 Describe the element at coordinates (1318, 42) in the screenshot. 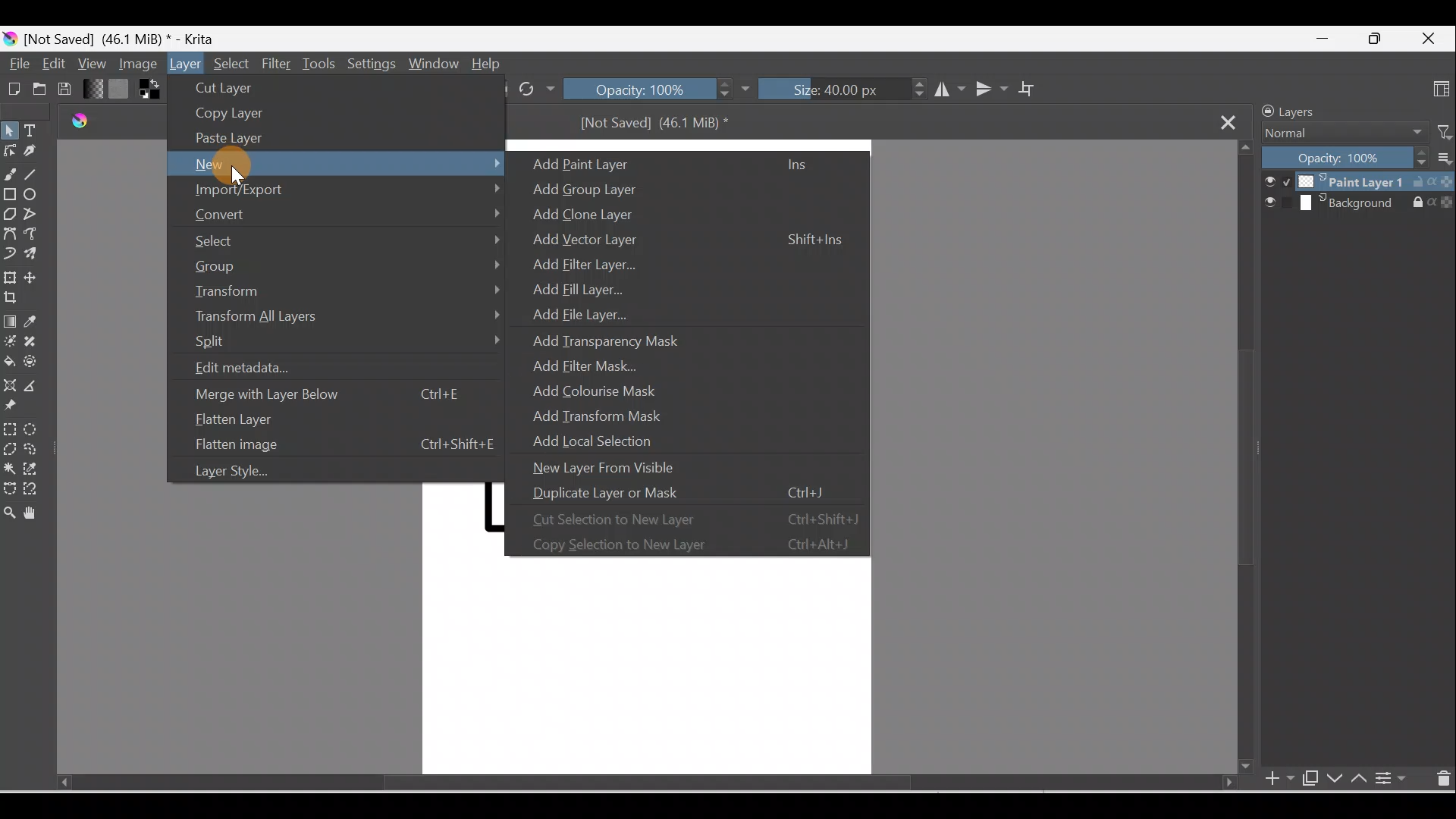

I see `Minimize` at that location.